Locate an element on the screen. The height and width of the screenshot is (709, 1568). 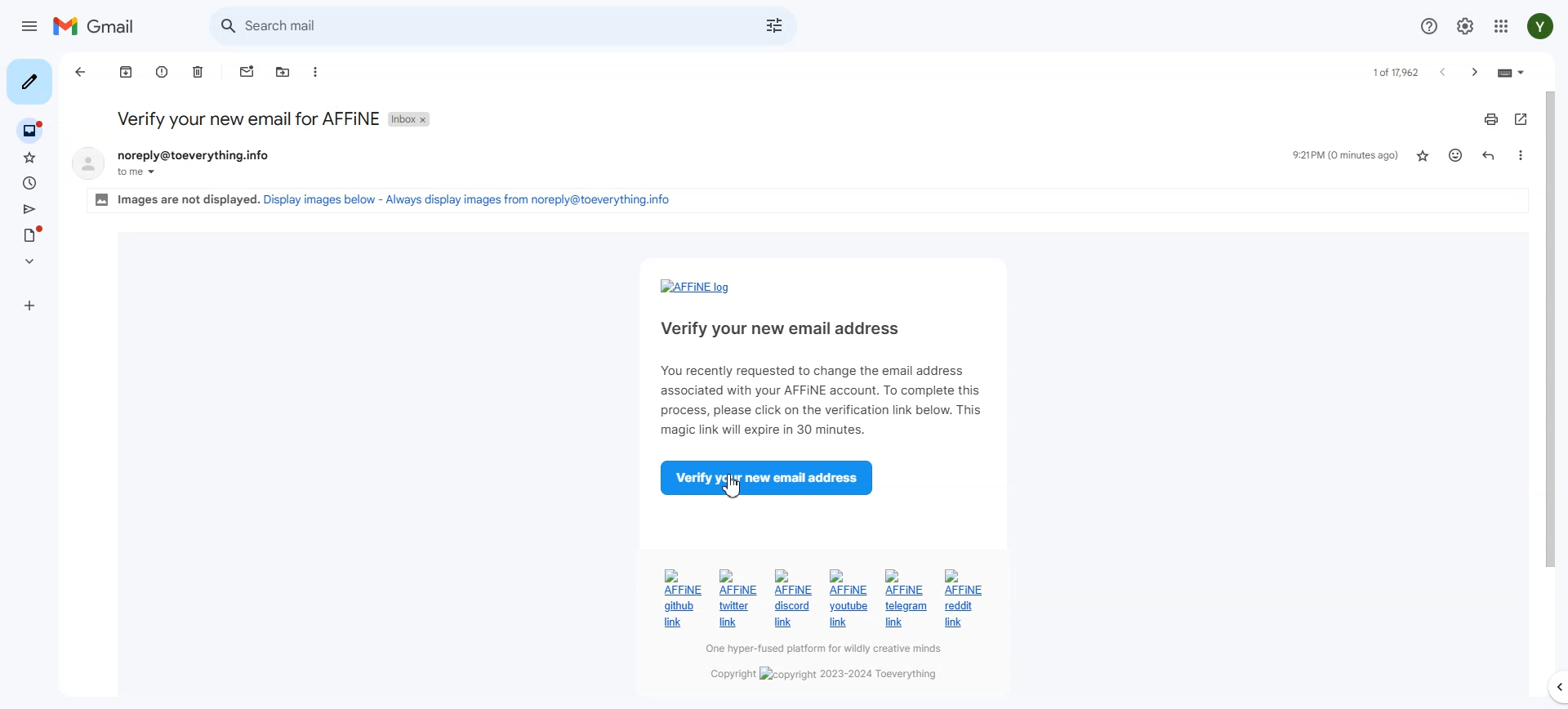
verification message is located at coordinates (819, 402).